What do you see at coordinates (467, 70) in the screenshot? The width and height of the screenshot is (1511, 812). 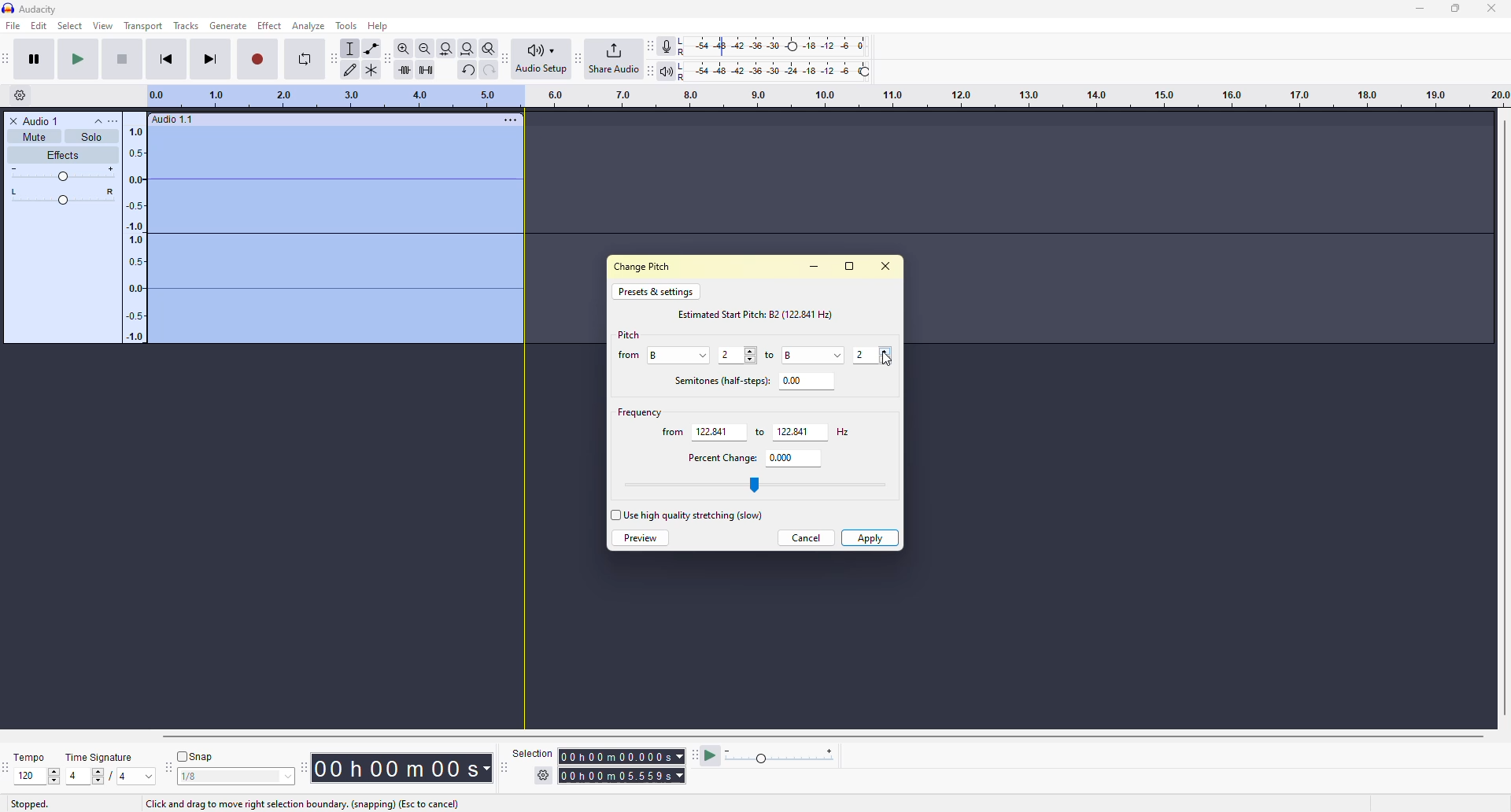 I see `undo` at bounding box center [467, 70].